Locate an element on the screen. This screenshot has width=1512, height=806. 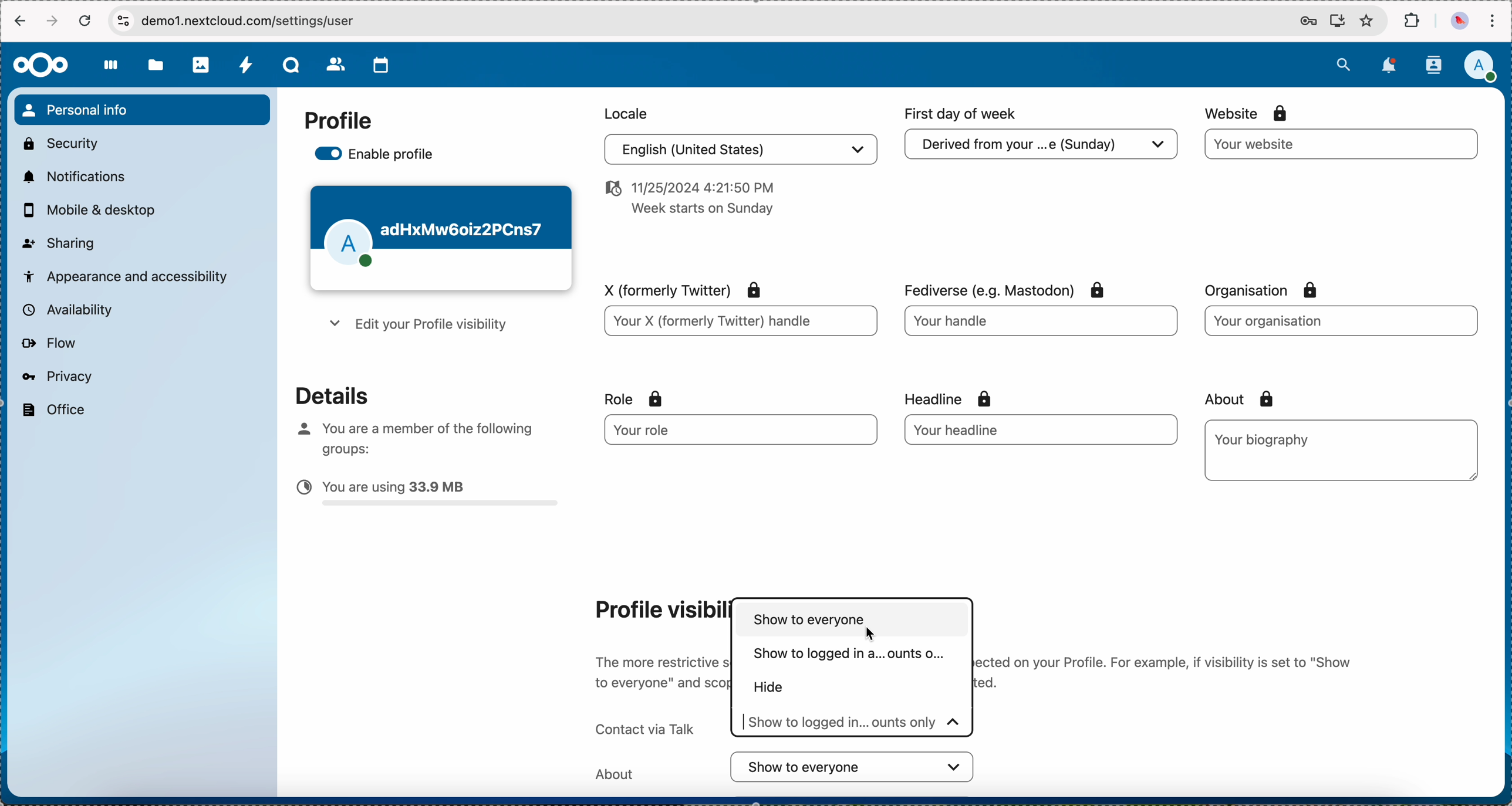
notifications is located at coordinates (72, 176).